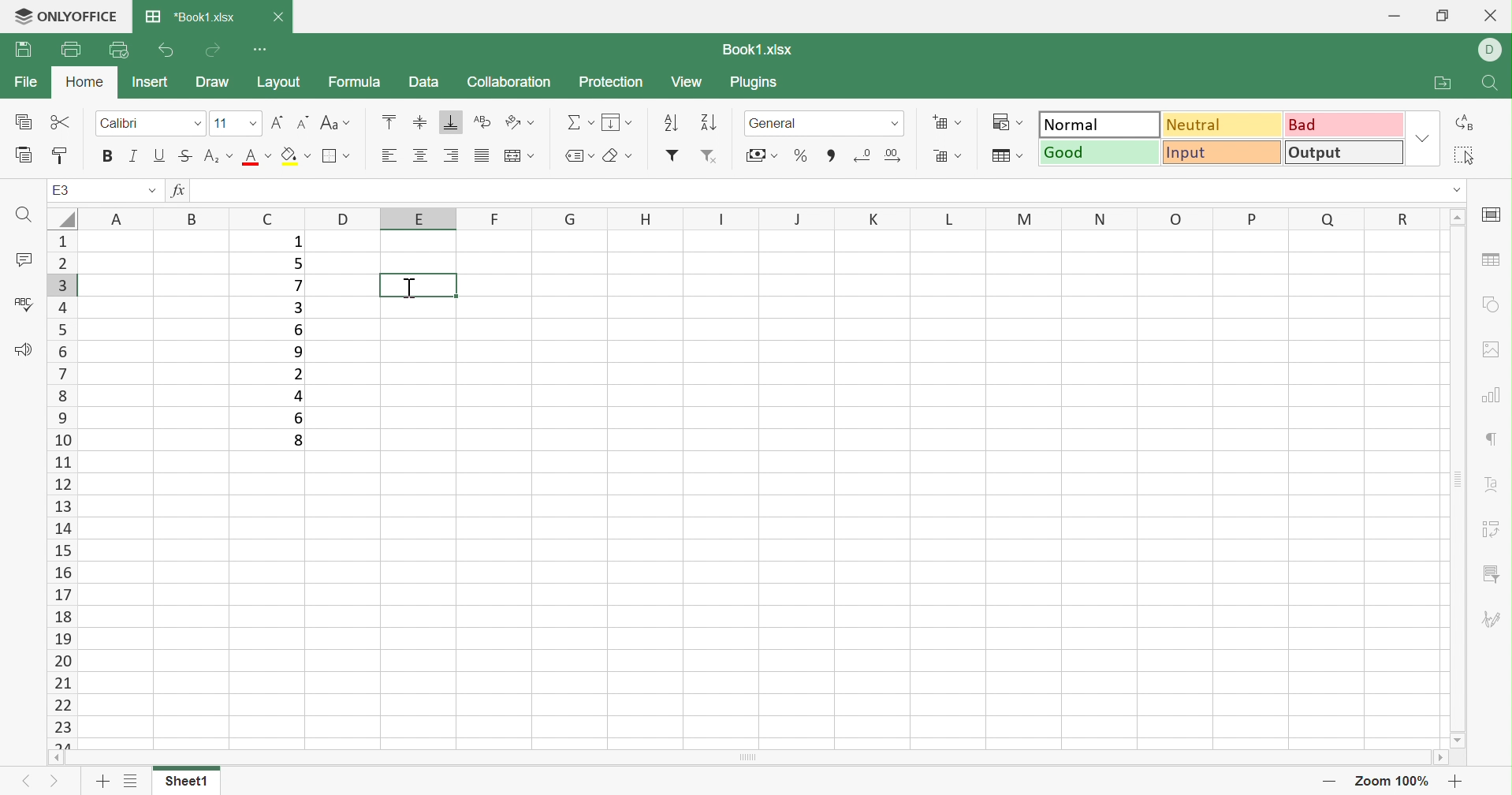 The image size is (1512, 795). I want to click on Drop Down, so click(250, 123).